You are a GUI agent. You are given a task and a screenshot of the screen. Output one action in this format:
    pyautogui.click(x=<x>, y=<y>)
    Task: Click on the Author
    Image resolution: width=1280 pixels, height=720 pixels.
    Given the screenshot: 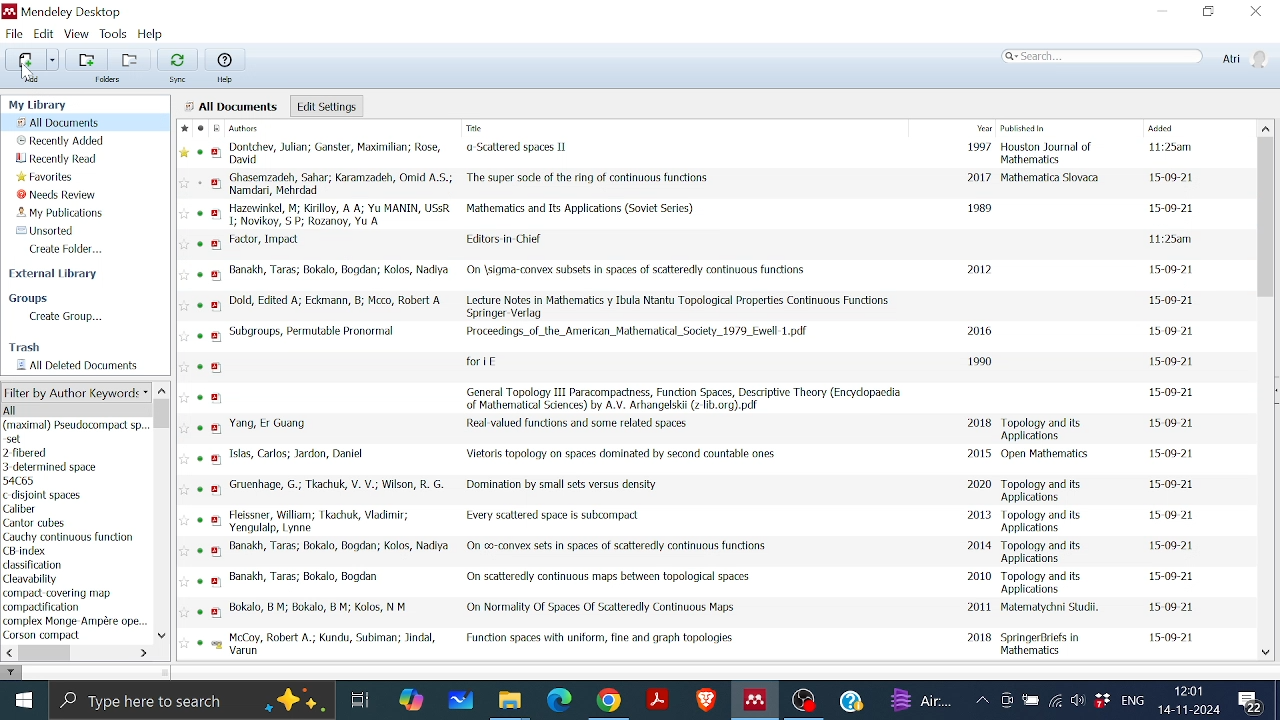 What is the action you would take?
    pyautogui.click(x=340, y=548)
    